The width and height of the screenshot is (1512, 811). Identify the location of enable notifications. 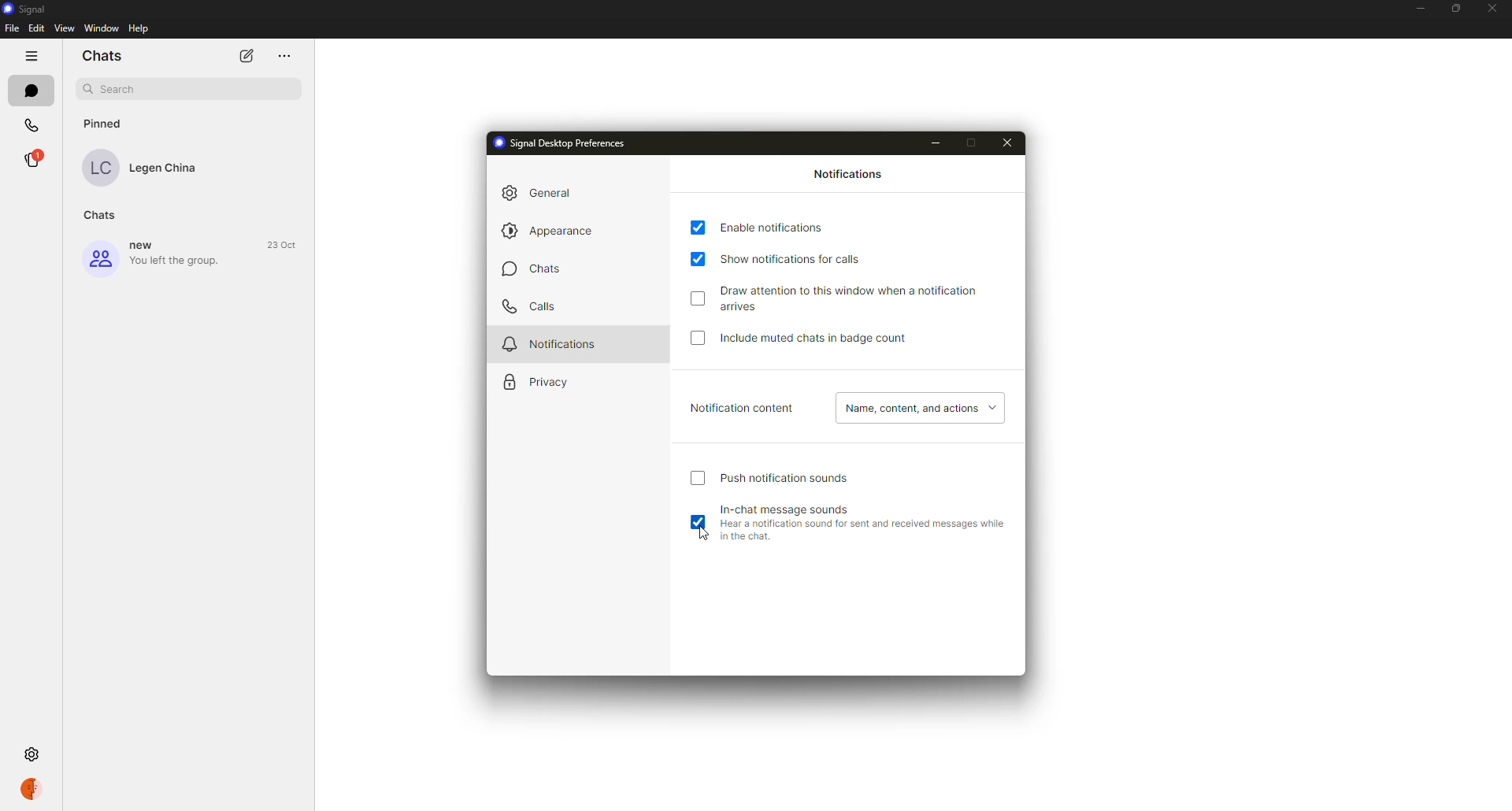
(774, 228).